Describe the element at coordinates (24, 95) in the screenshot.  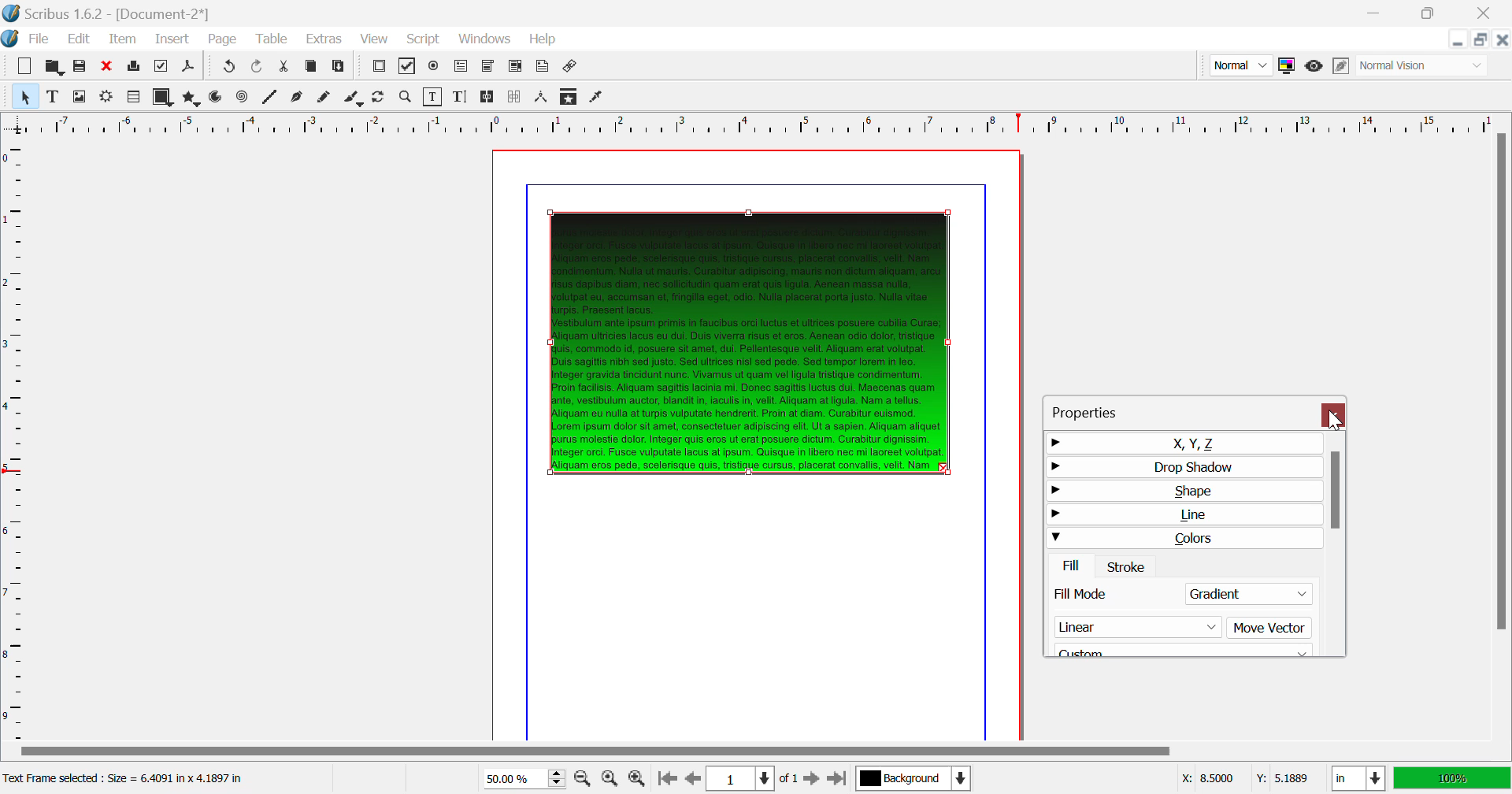
I see `Select` at that location.